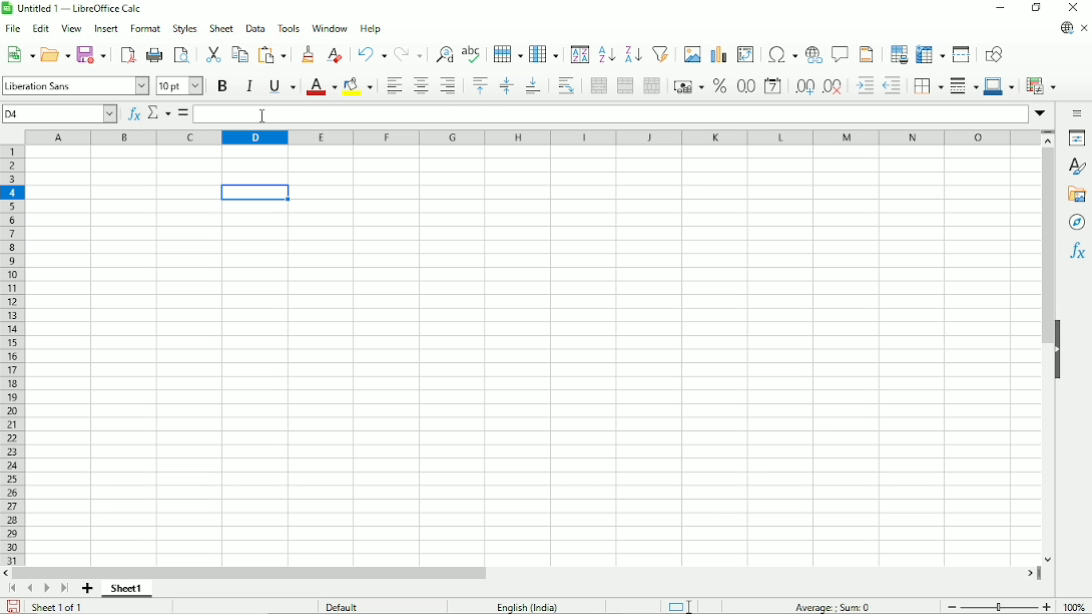  Describe the element at coordinates (289, 28) in the screenshot. I see `Tools` at that location.